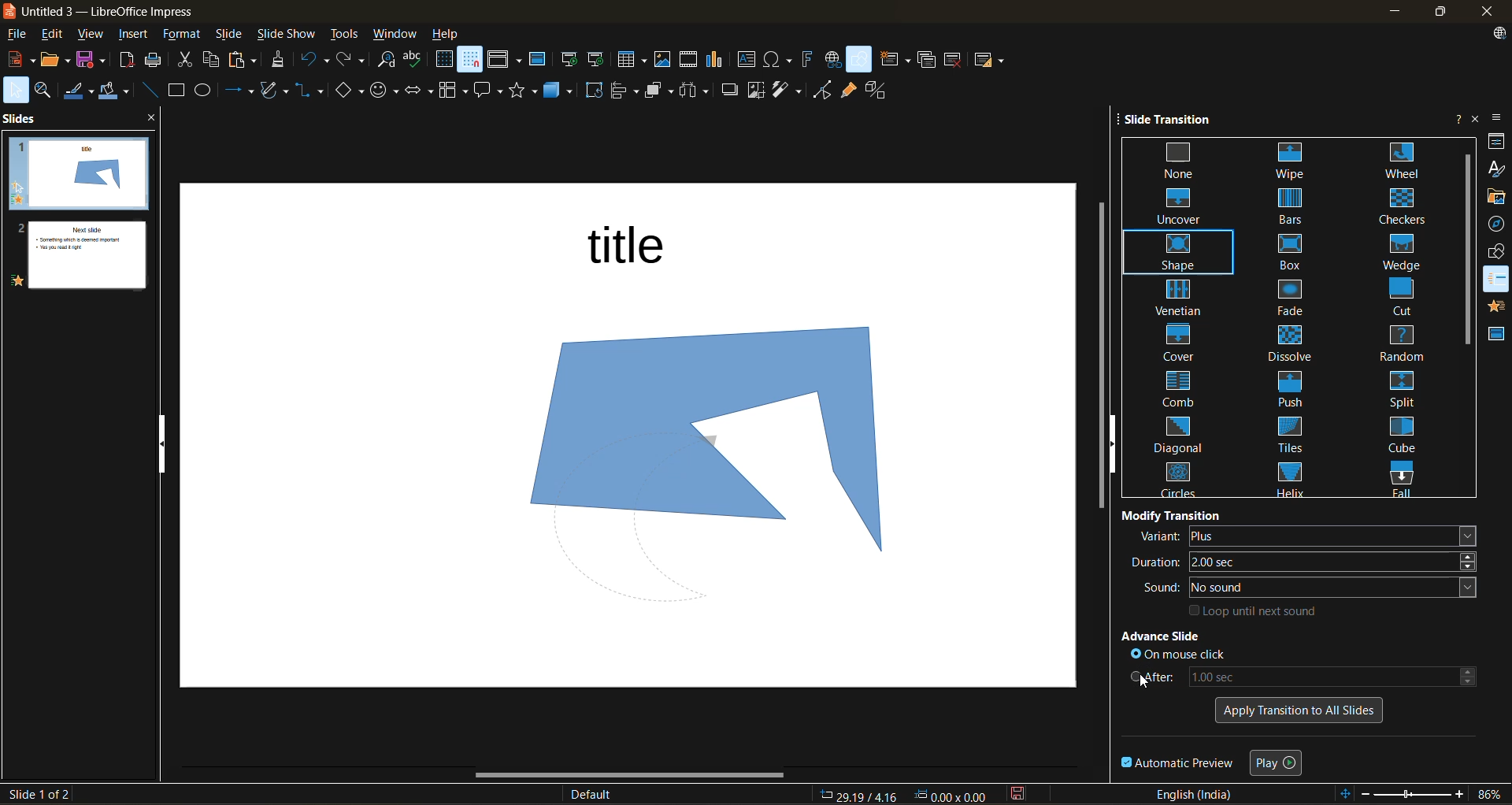 The width and height of the screenshot is (1512, 805). Describe the element at coordinates (730, 91) in the screenshot. I see `shadow` at that location.